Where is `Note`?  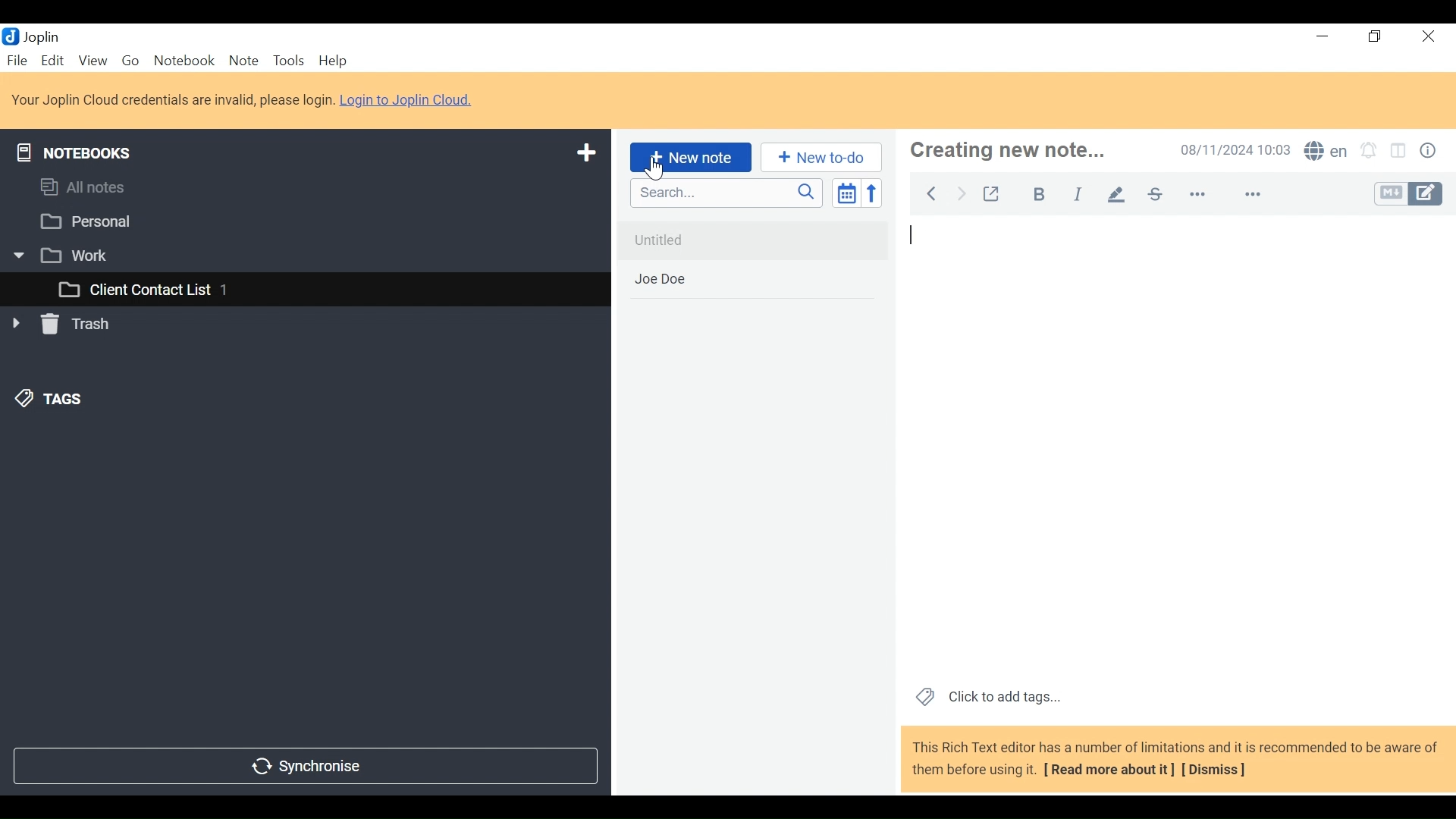 Note is located at coordinates (243, 61).